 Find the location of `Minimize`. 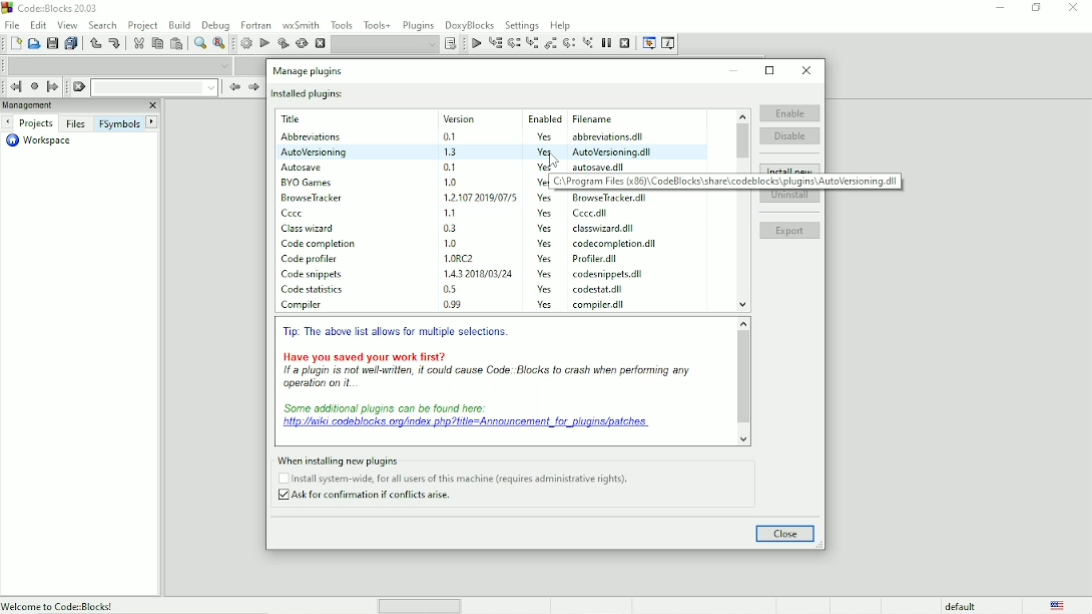

Minimize is located at coordinates (999, 8).